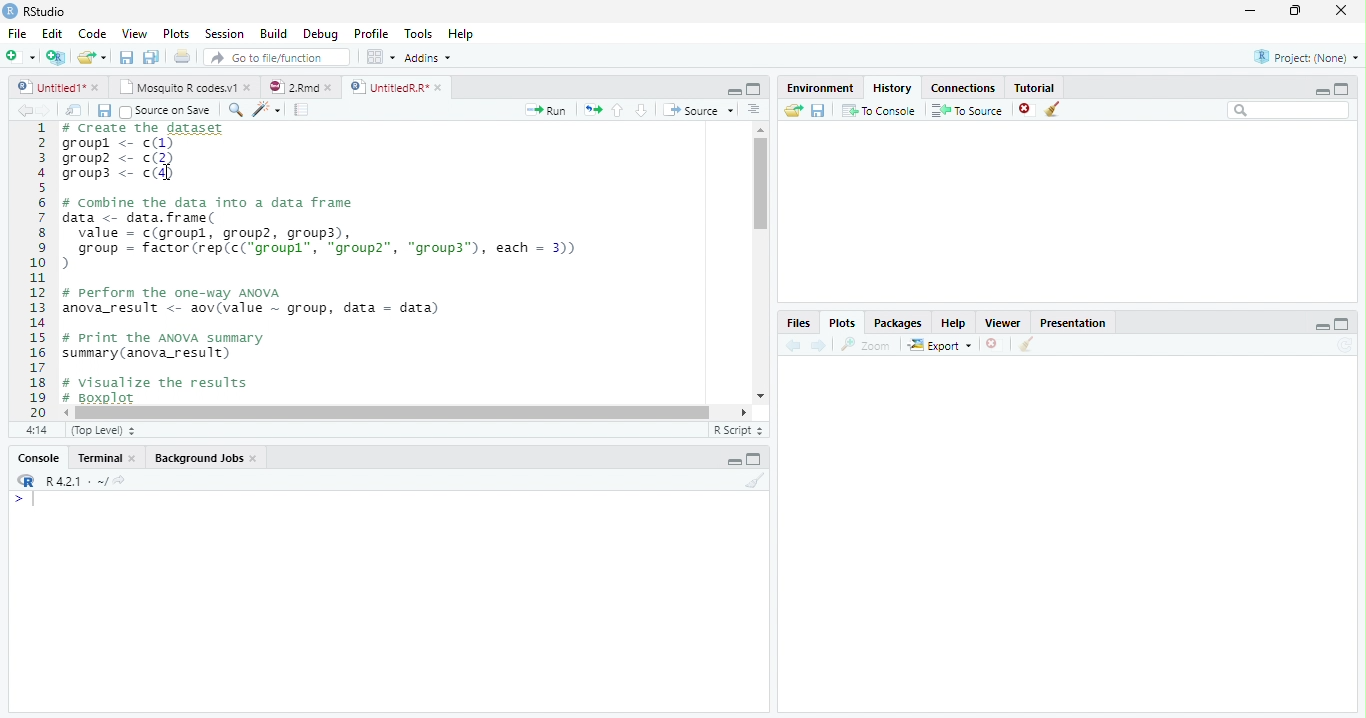 This screenshot has width=1366, height=718. What do you see at coordinates (736, 429) in the screenshot?
I see `R script` at bounding box center [736, 429].